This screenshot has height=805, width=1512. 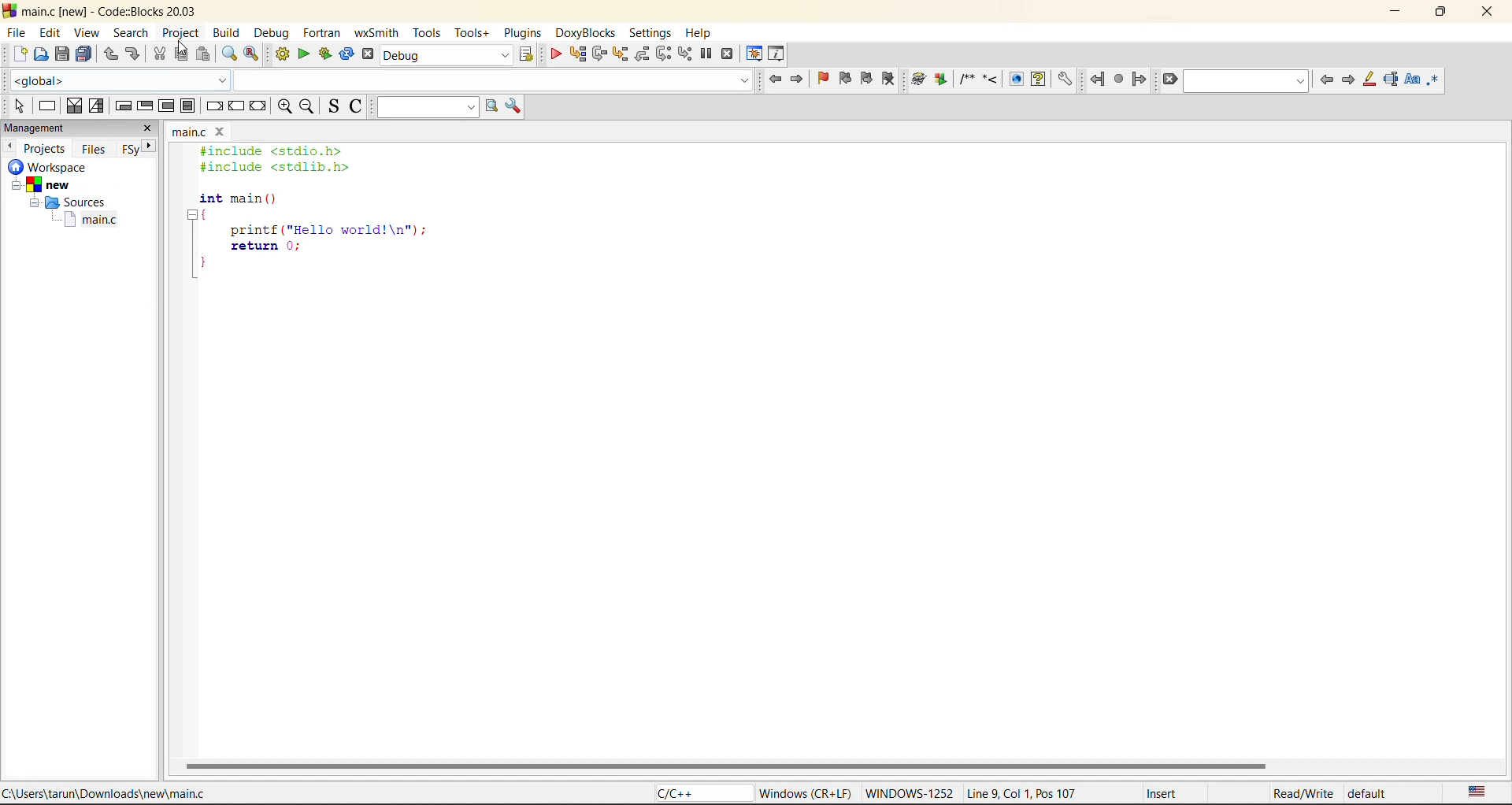 I want to click on Insert a line comment at the current cursor position, so click(x=990, y=79).